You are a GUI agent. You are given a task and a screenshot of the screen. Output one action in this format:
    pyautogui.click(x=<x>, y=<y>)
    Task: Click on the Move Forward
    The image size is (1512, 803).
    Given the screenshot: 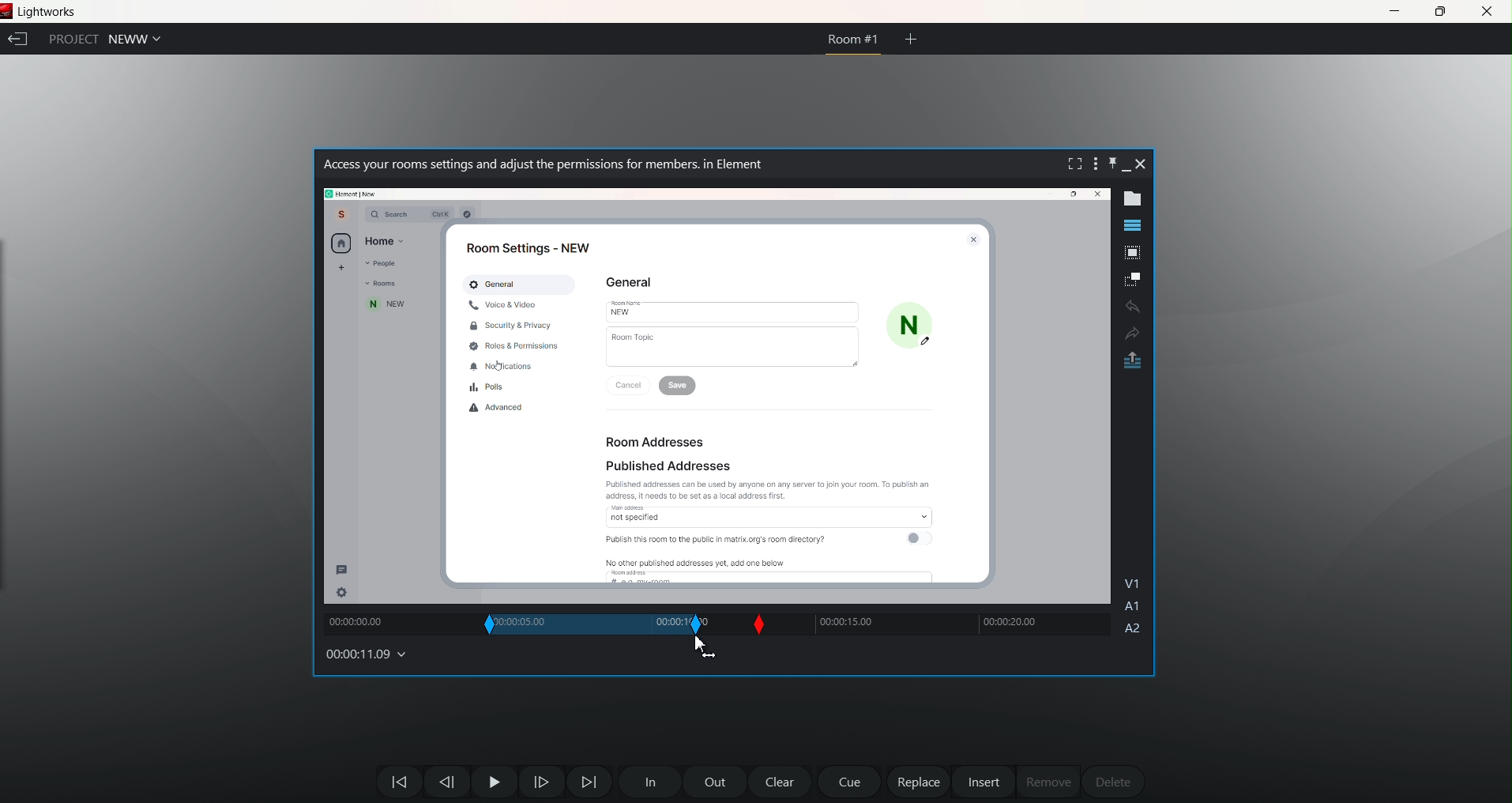 What is the action you would take?
    pyautogui.click(x=589, y=780)
    